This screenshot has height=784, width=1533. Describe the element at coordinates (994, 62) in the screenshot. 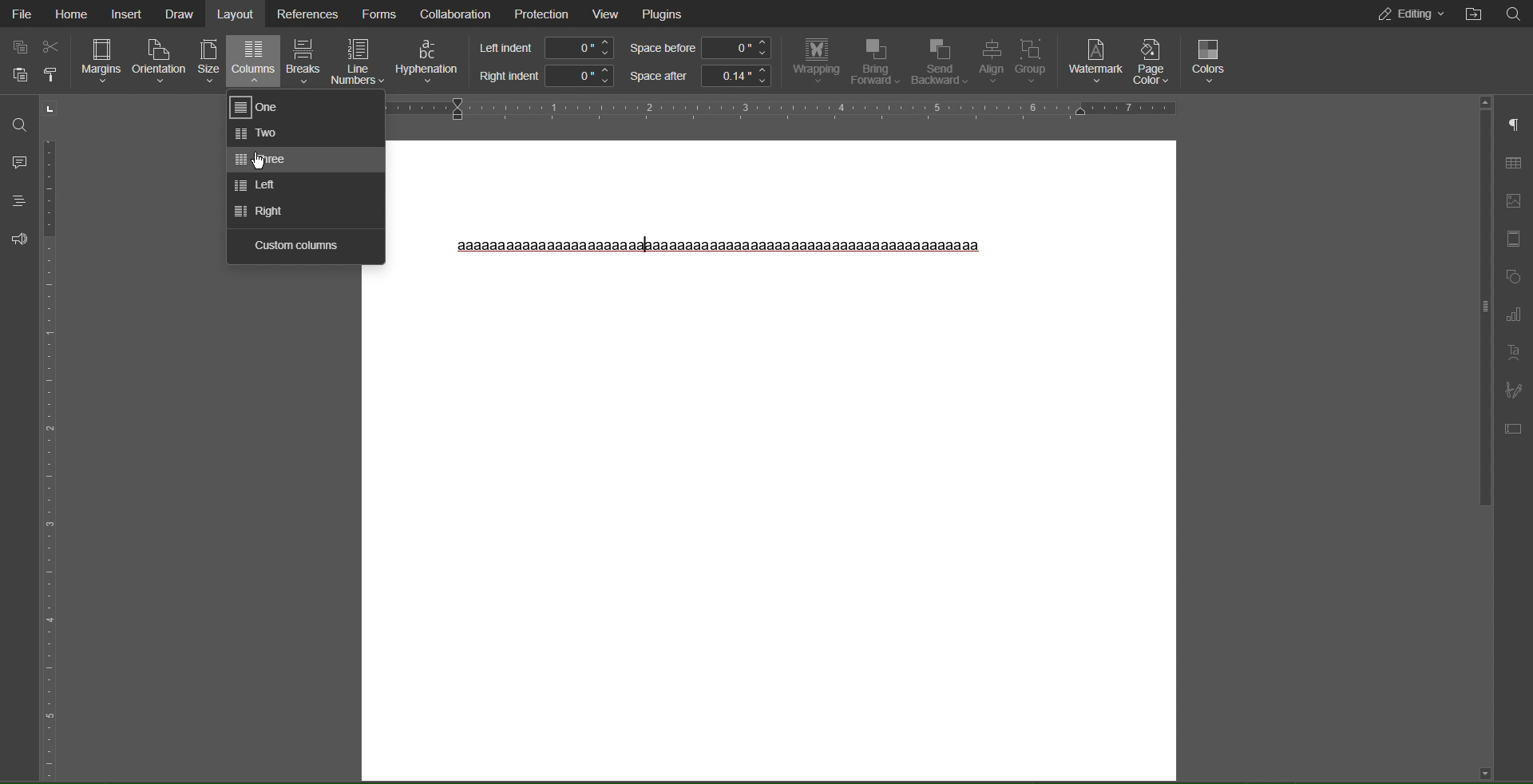

I see `Align` at that location.